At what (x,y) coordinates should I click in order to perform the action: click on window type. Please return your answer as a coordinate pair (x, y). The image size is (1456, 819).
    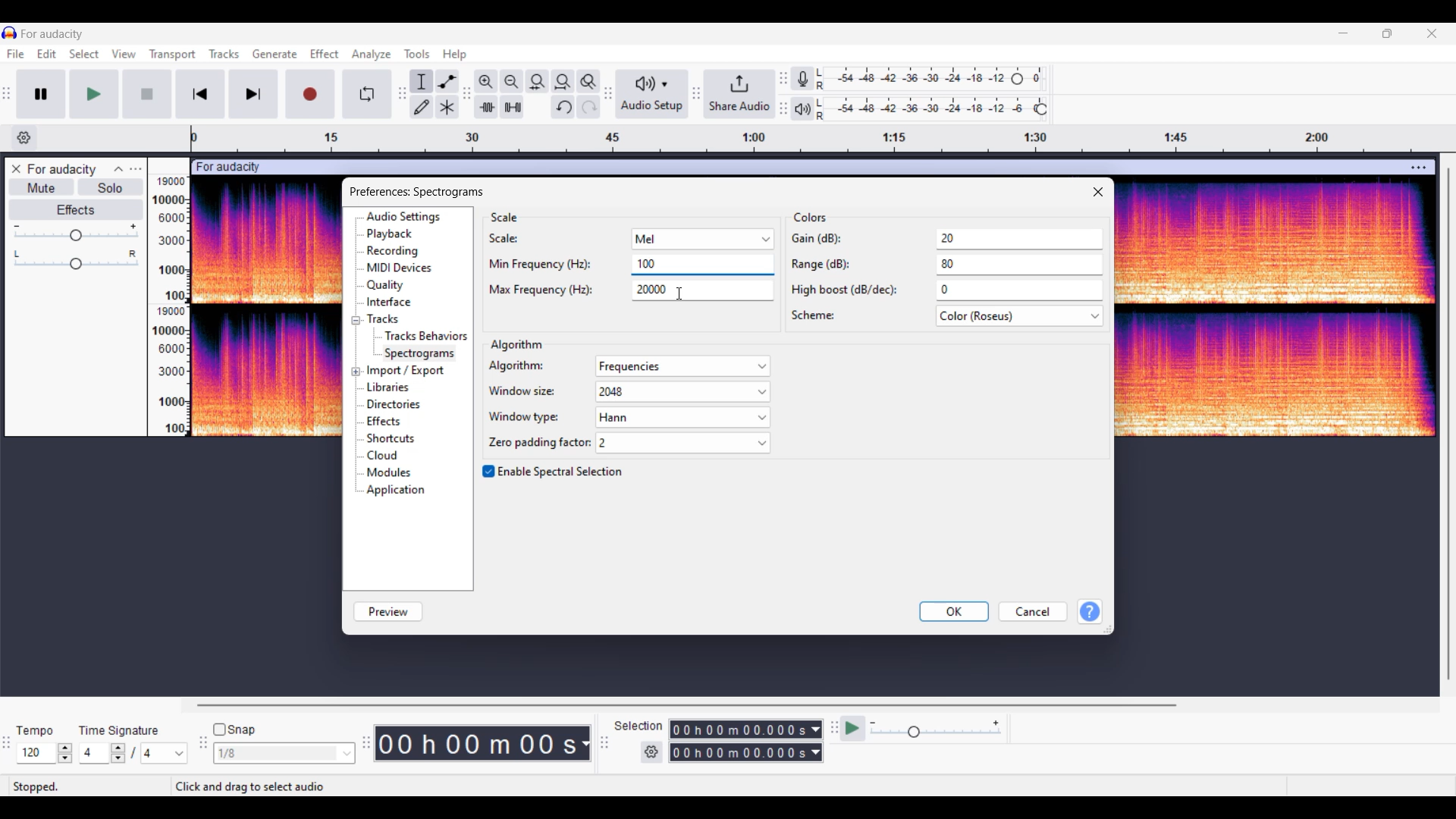
    Looking at the image, I should click on (626, 419).